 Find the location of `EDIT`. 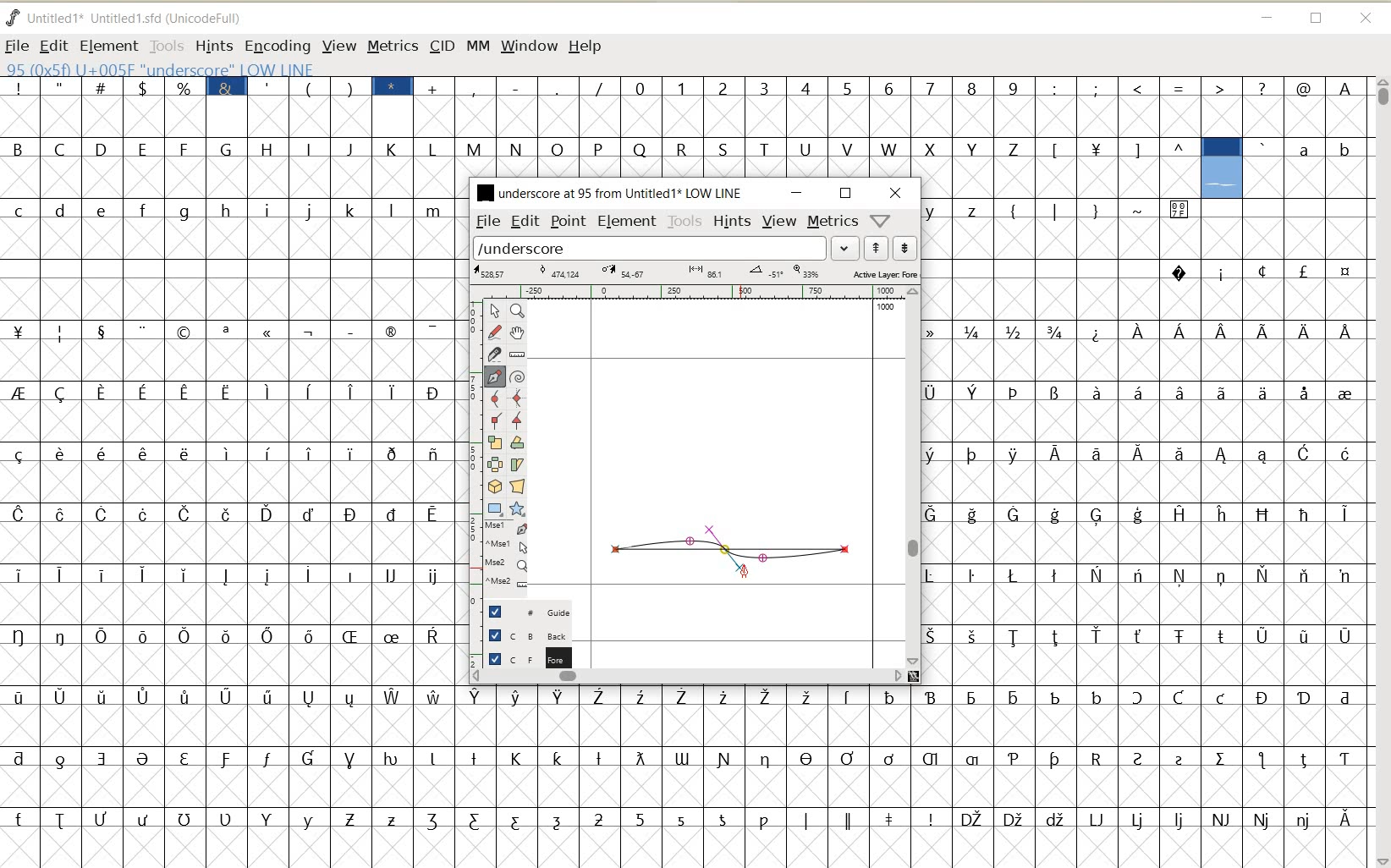

EDIT is located at coordinates (52, 47).